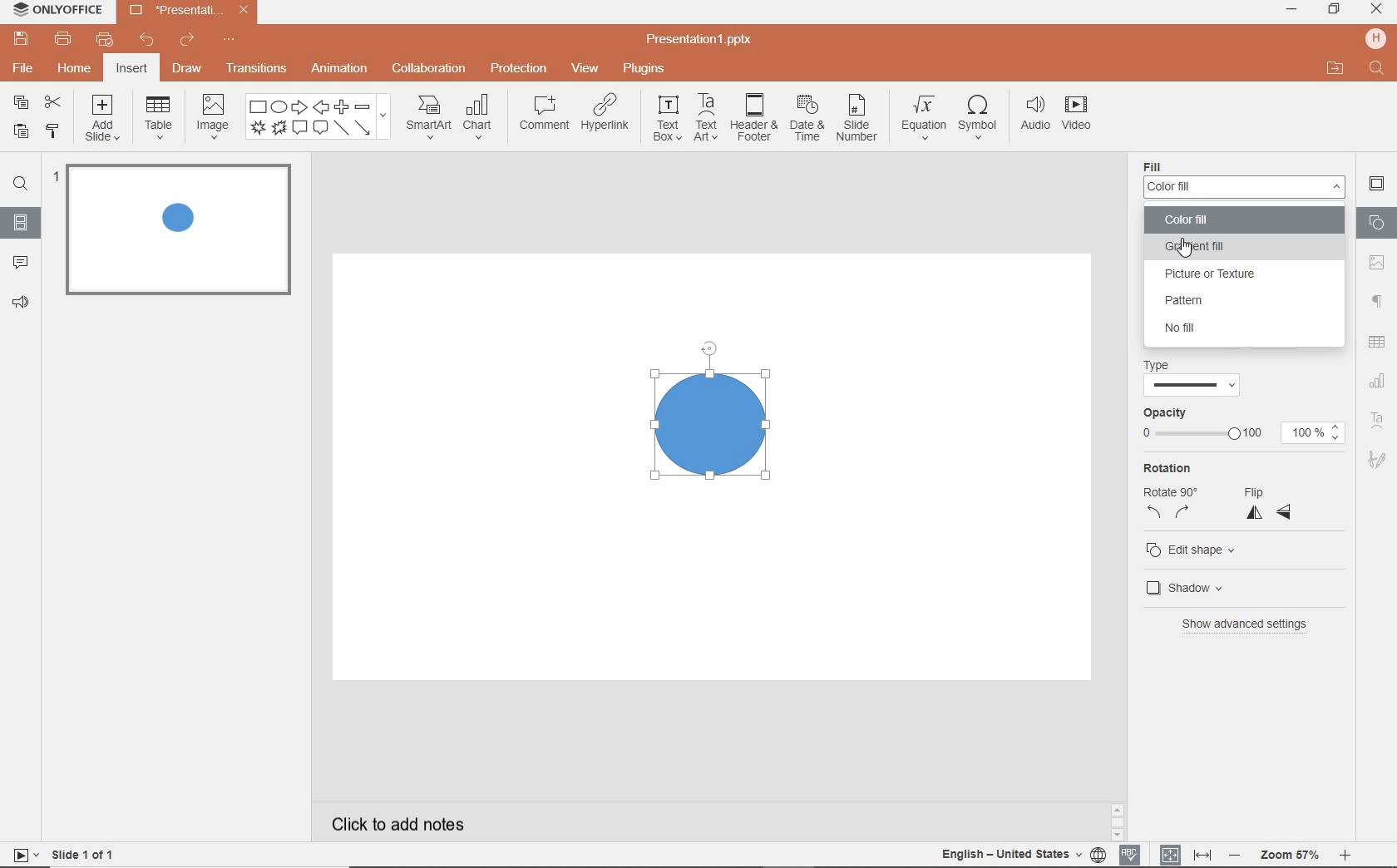 The width and height of the screenshot is (1397, 868). What do you see at coordinates (52, 102) in the screenshot?
I see `cut` at bounding box center [52, 102].